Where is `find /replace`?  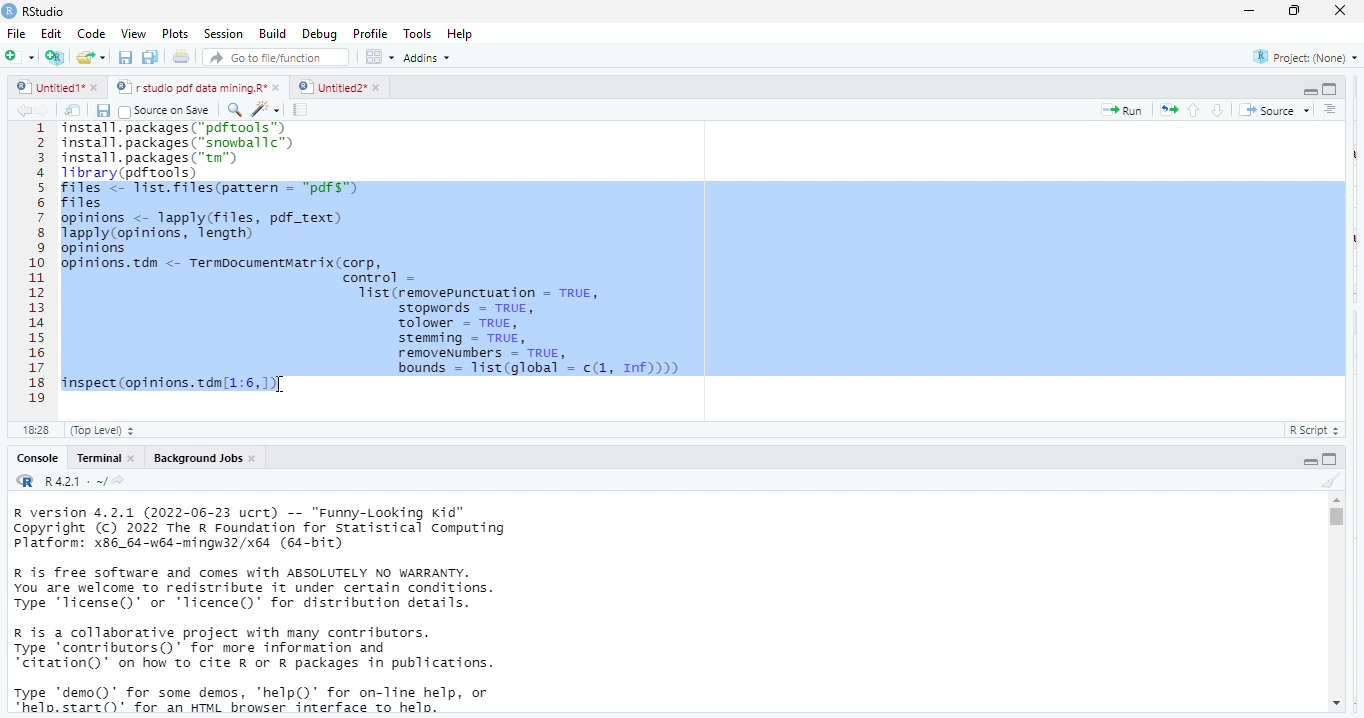
find /replace is located at coordinates (234, 109).